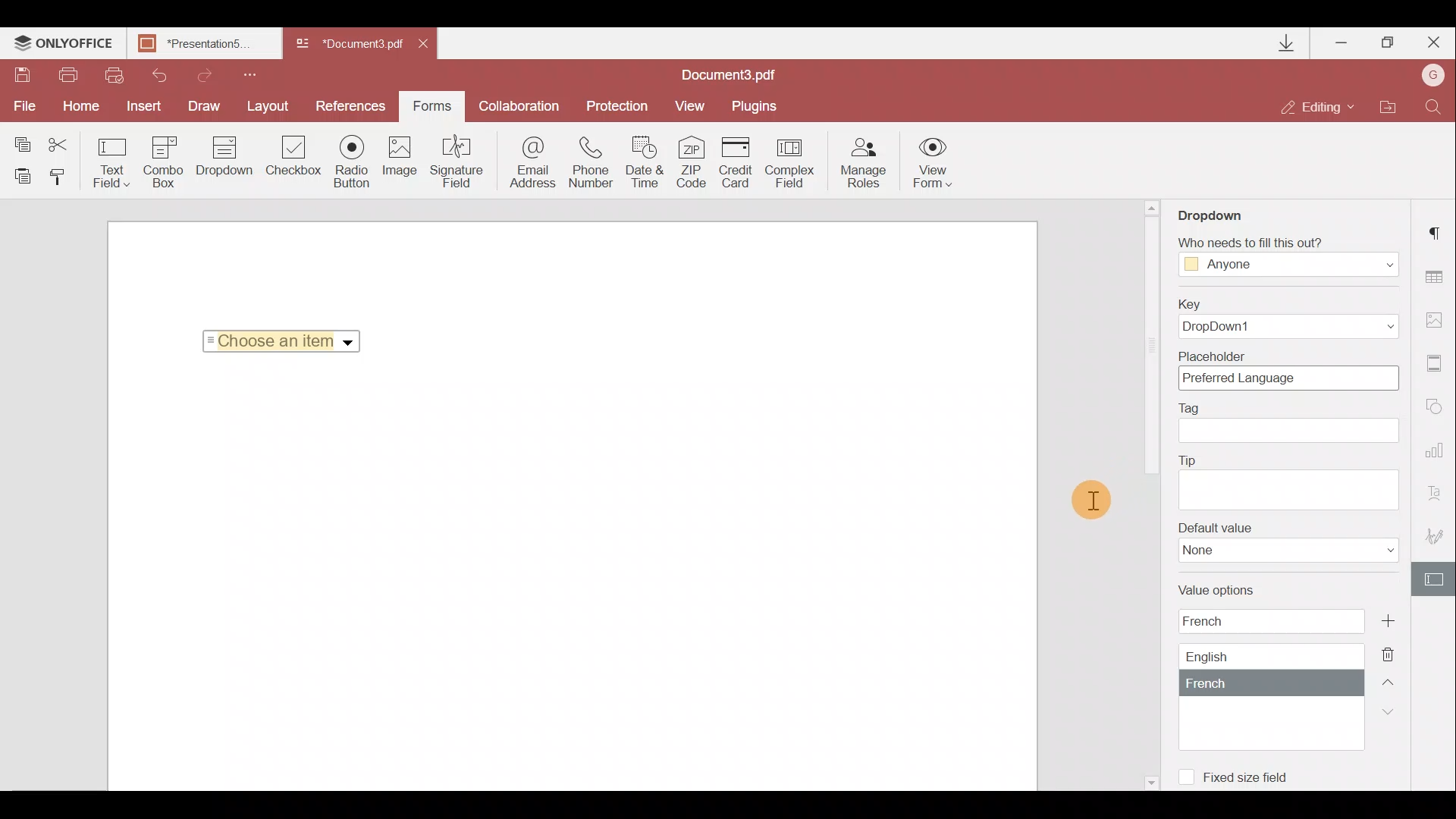  I want to click on Cut, so click(67, 142).